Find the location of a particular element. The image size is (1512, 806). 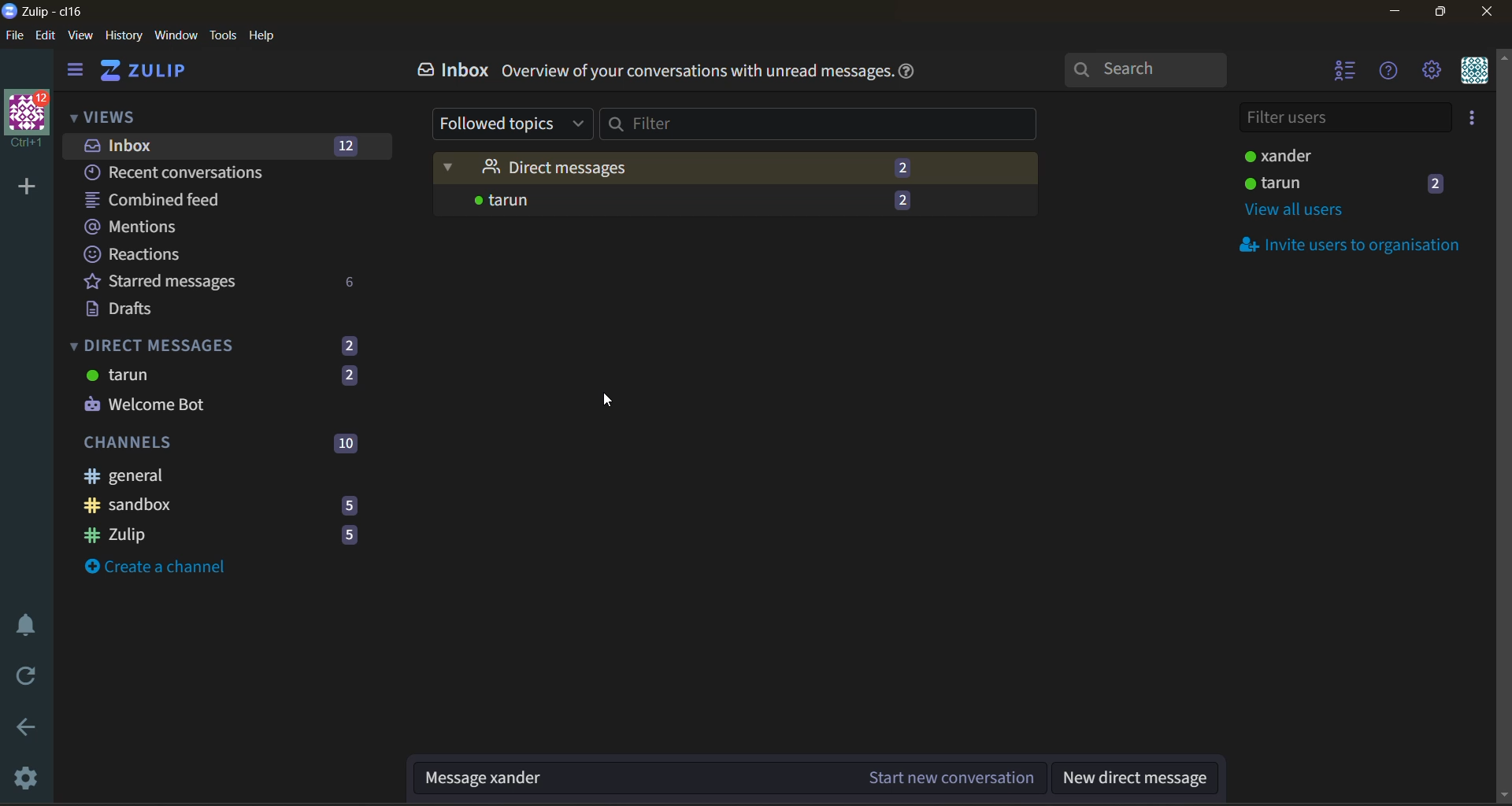

create a channel is located at coordinates (169, 571).